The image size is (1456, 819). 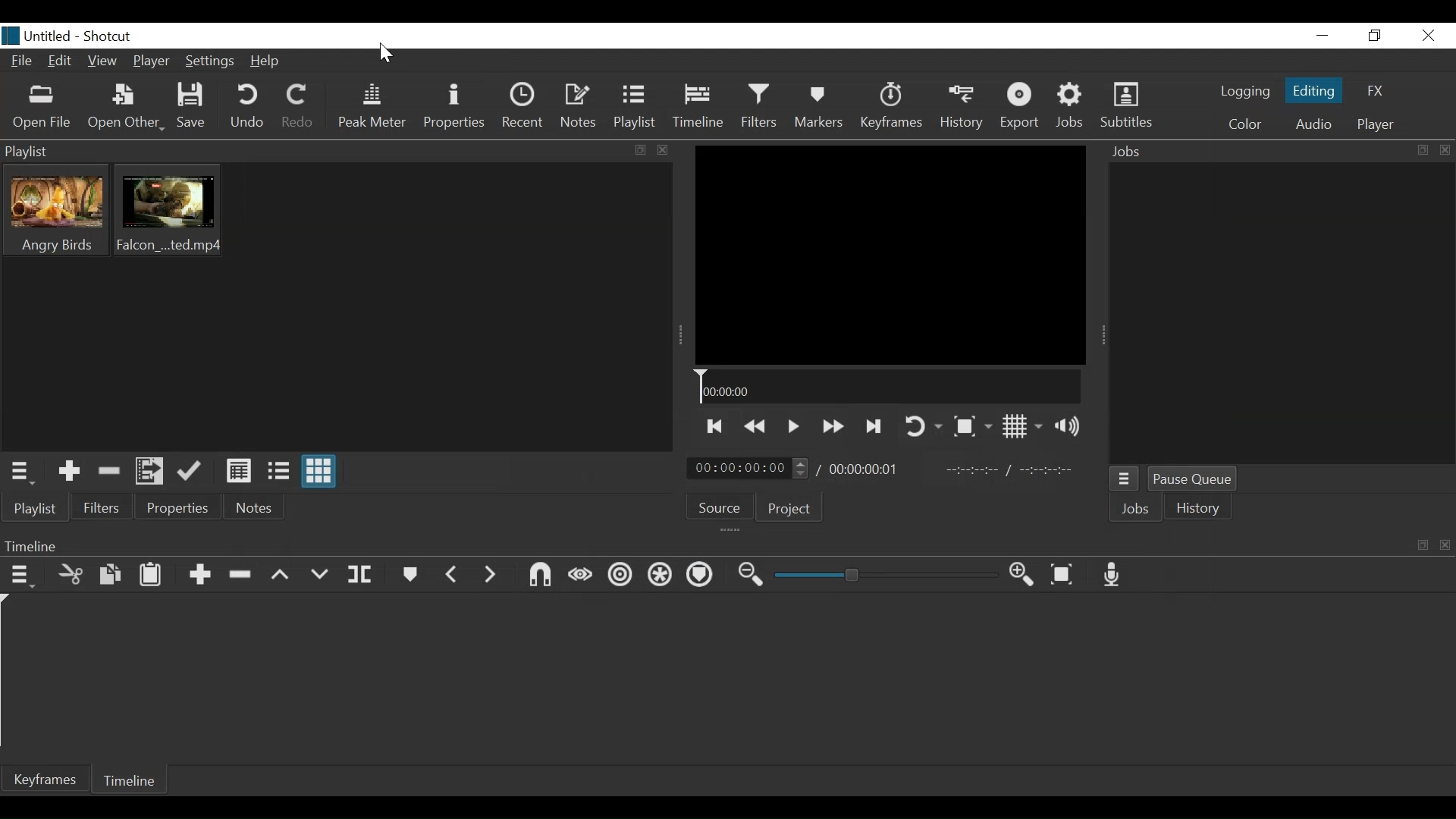 I want to click on Split at playhead, so click(x=360, y=575).